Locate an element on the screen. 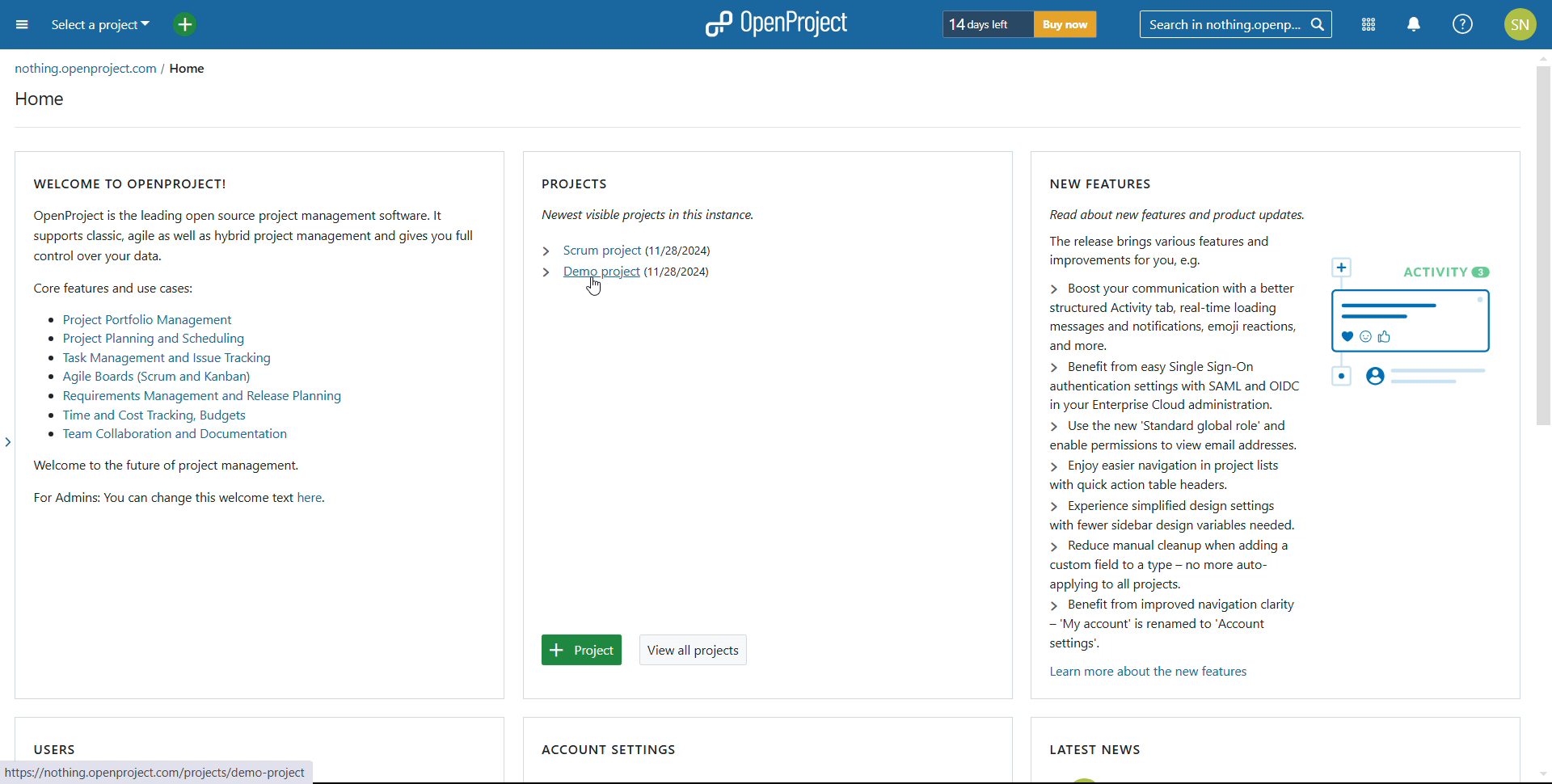 The width and height of the screenshot is (1552, 784). latest news is located at coordinates (1094, 749).